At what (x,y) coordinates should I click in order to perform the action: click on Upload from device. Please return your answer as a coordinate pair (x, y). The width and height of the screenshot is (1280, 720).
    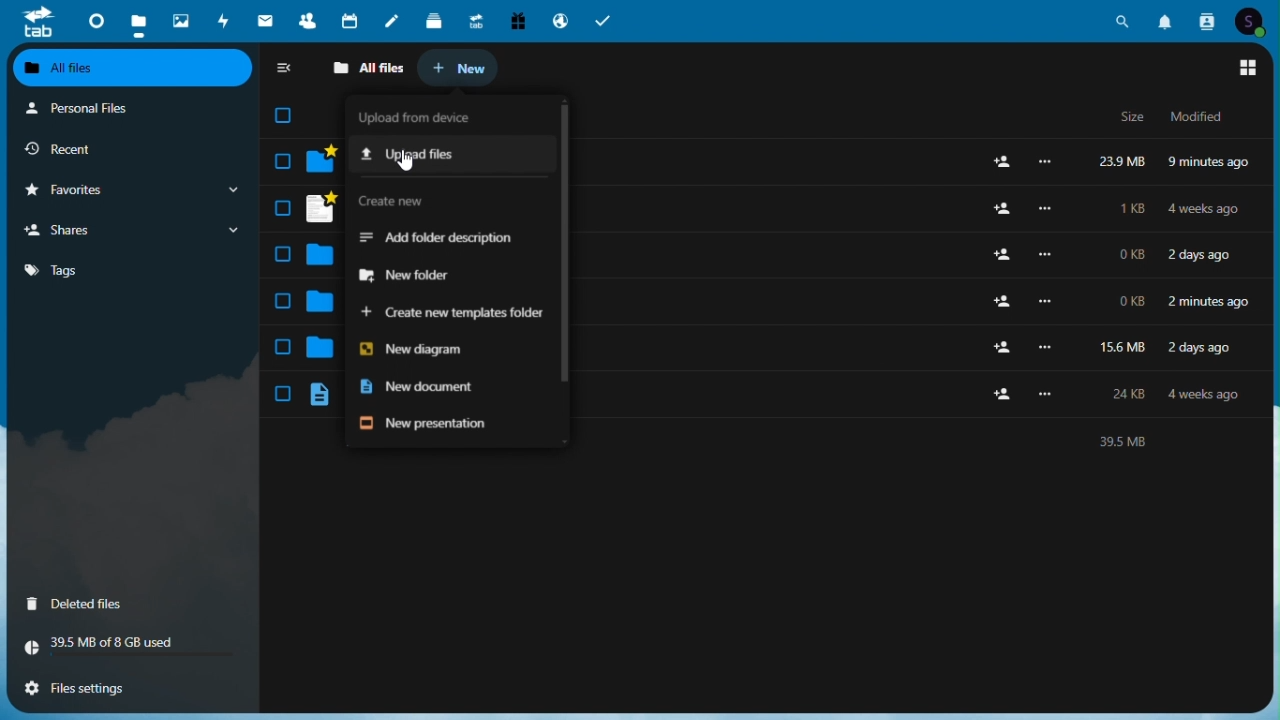
    Looking at the image, I should click on (422, 116).